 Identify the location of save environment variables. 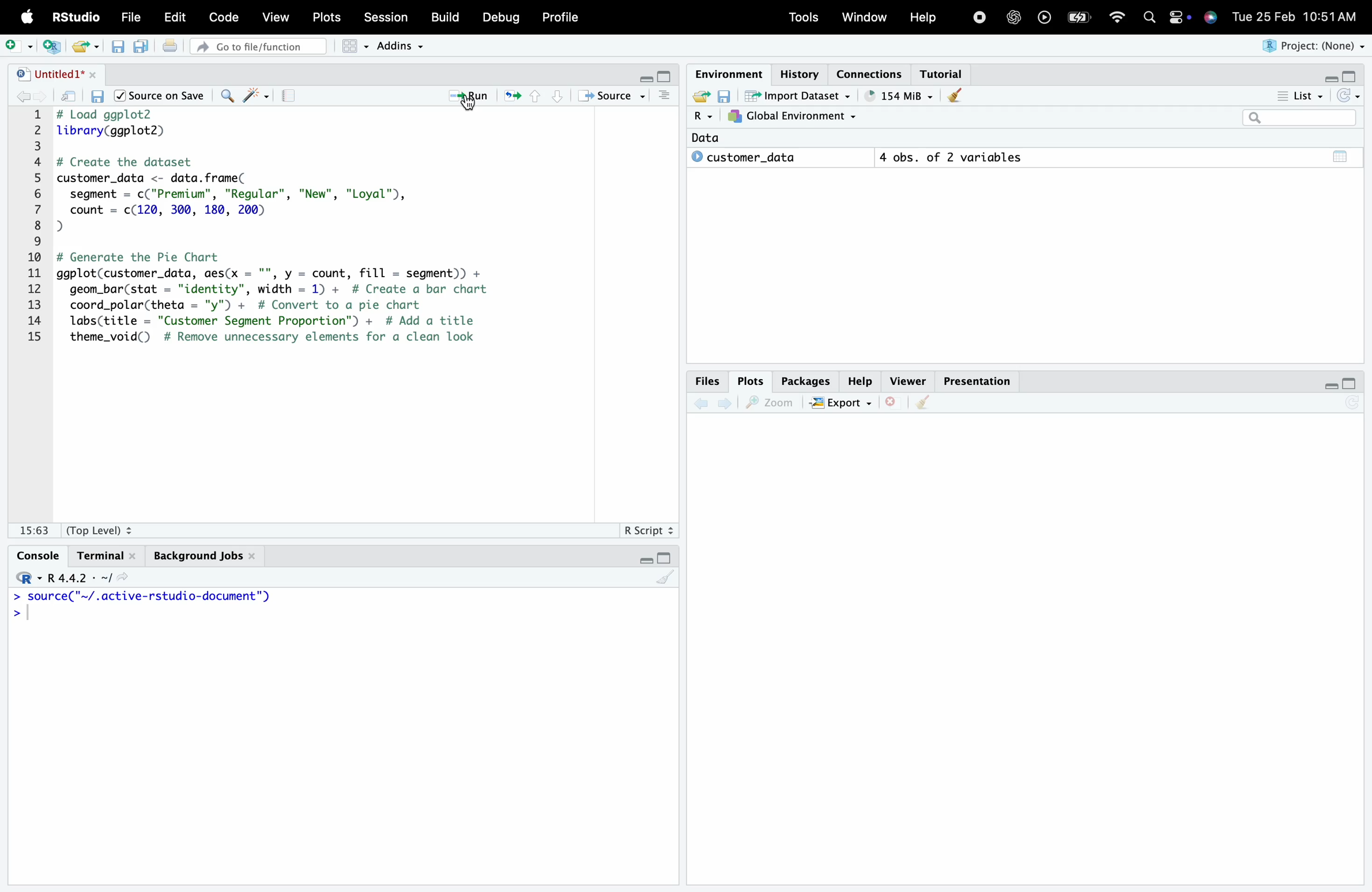
(723, 95).